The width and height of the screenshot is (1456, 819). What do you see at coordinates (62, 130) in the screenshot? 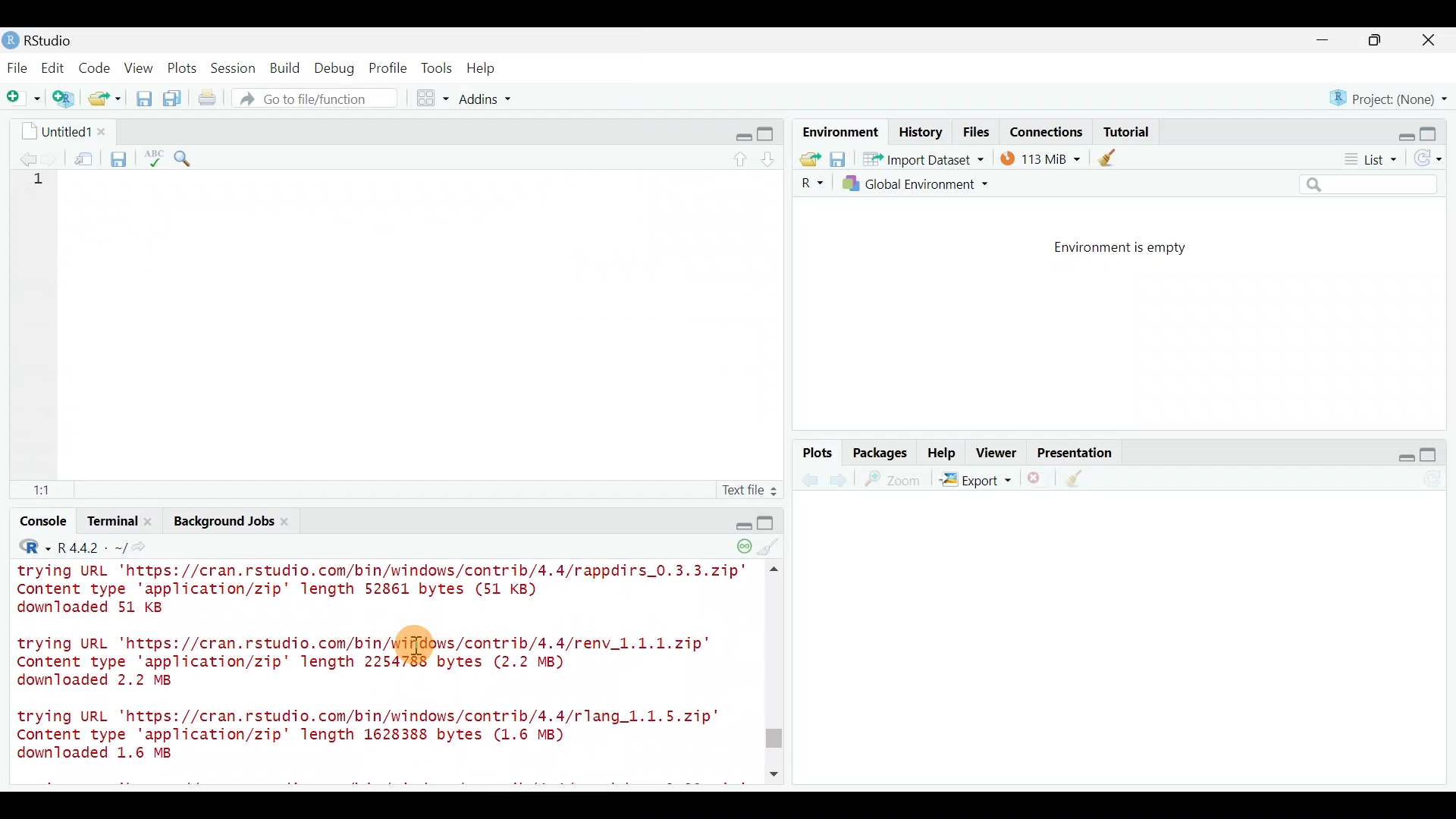
I see `Untitled1` at bounding box center [62, 130].